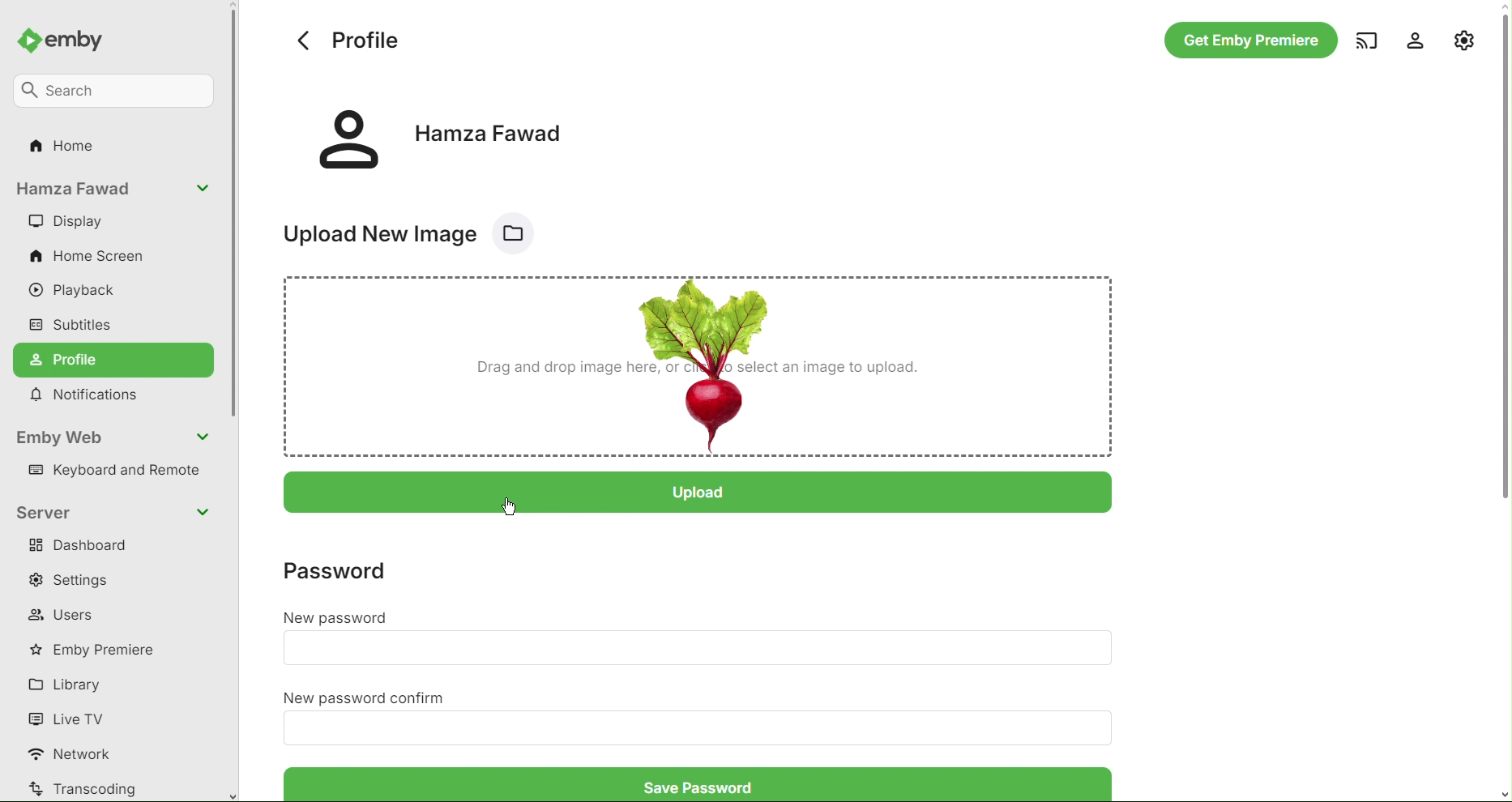 This screenshot has width=1512, height=802. Describe the element at coordinates (68, 37) in the screenshot. I see `Emby` at that location.